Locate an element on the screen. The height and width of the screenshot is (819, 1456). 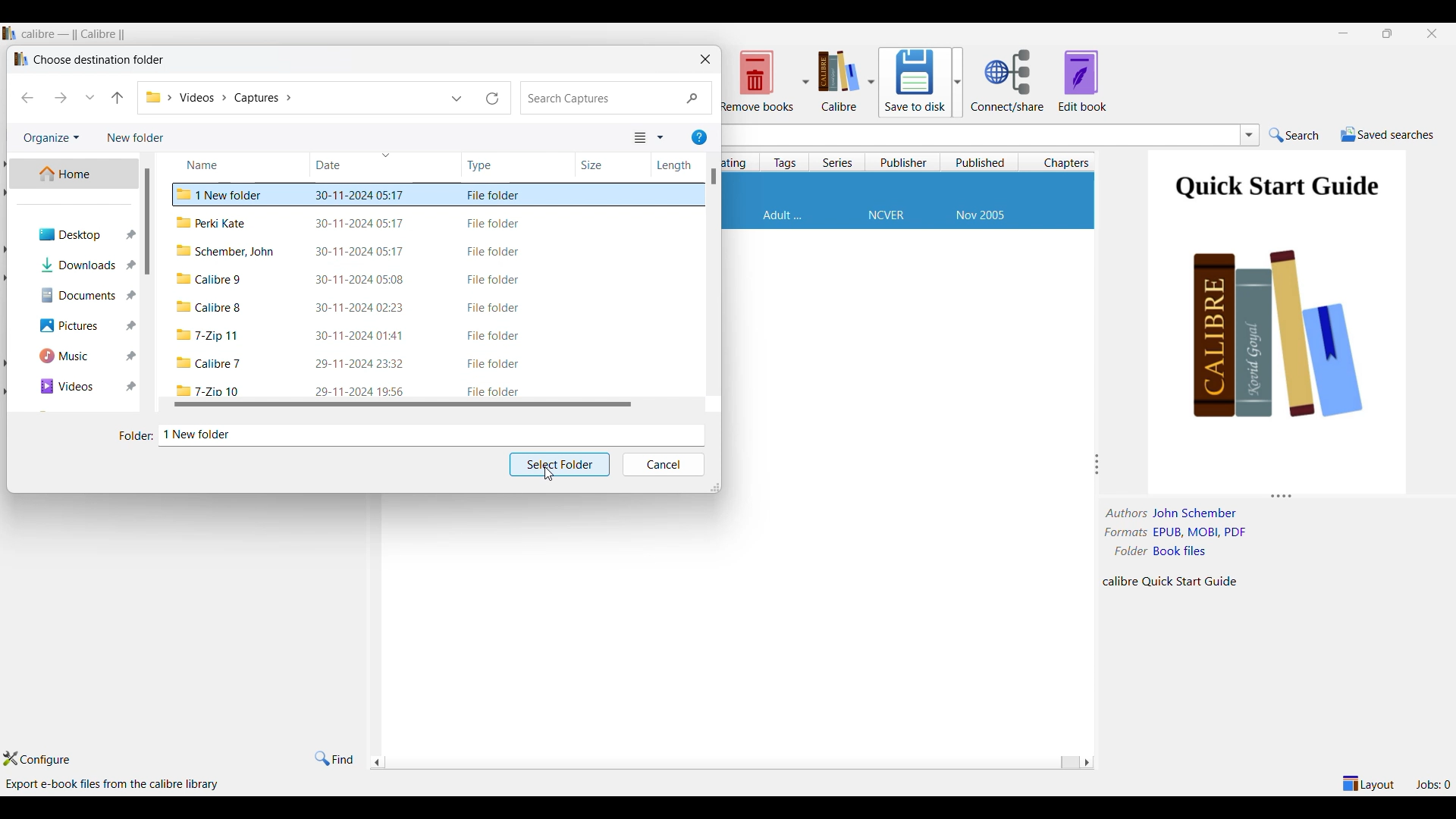
folder is located at coordinates (211, 363).